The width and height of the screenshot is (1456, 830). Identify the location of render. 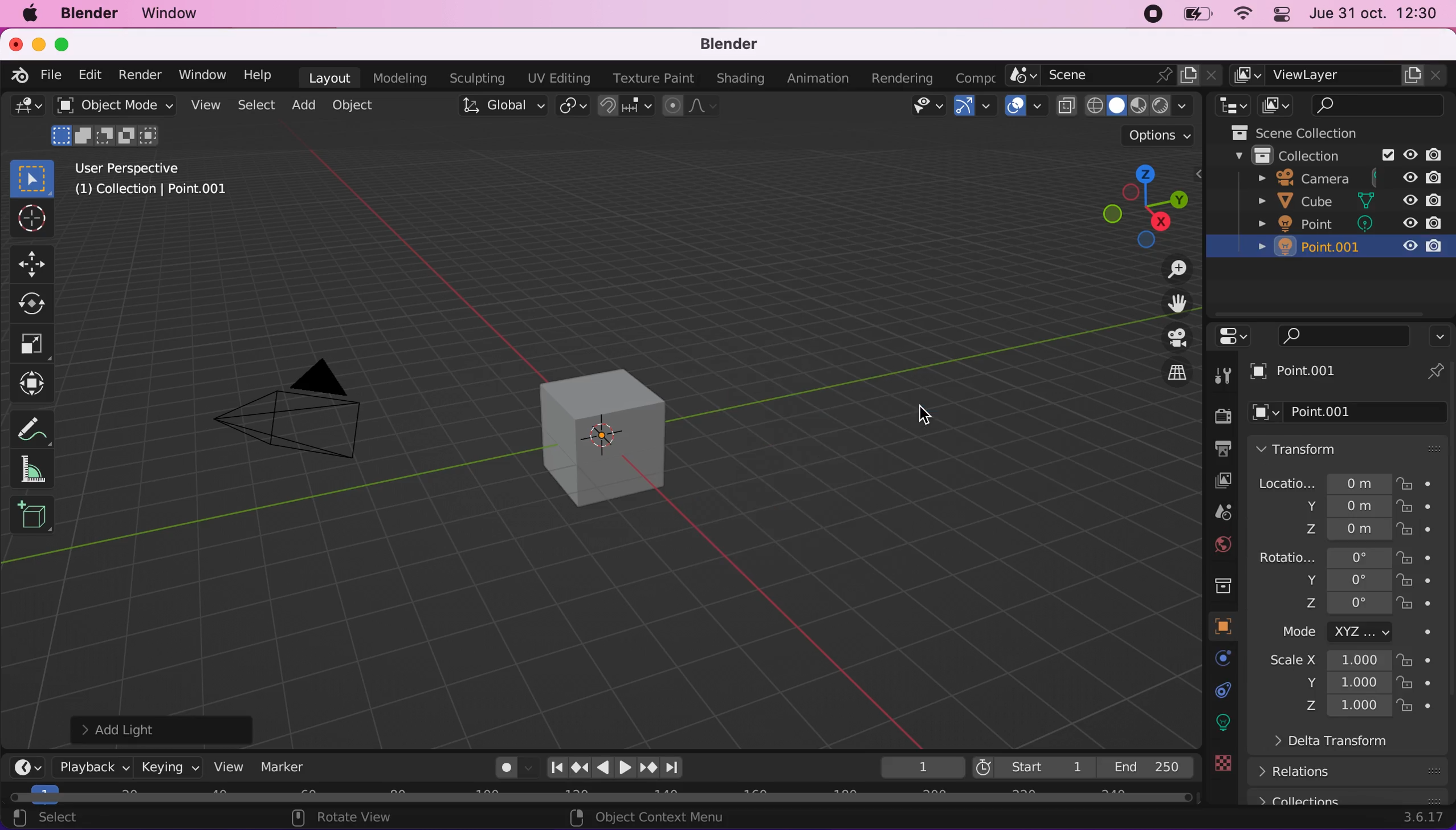
(1218, 415).